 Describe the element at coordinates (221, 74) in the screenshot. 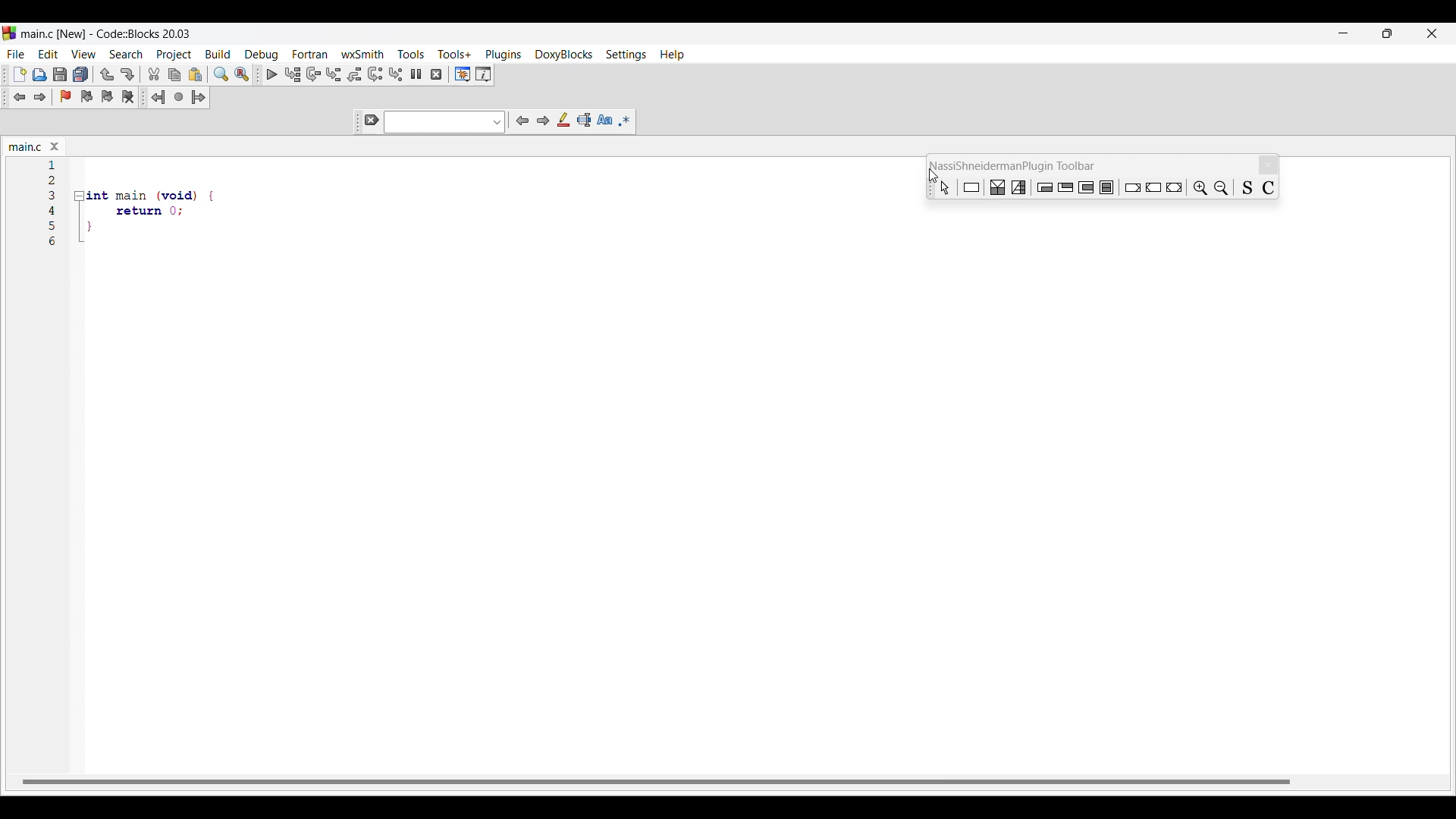

I see `Find` at that location.